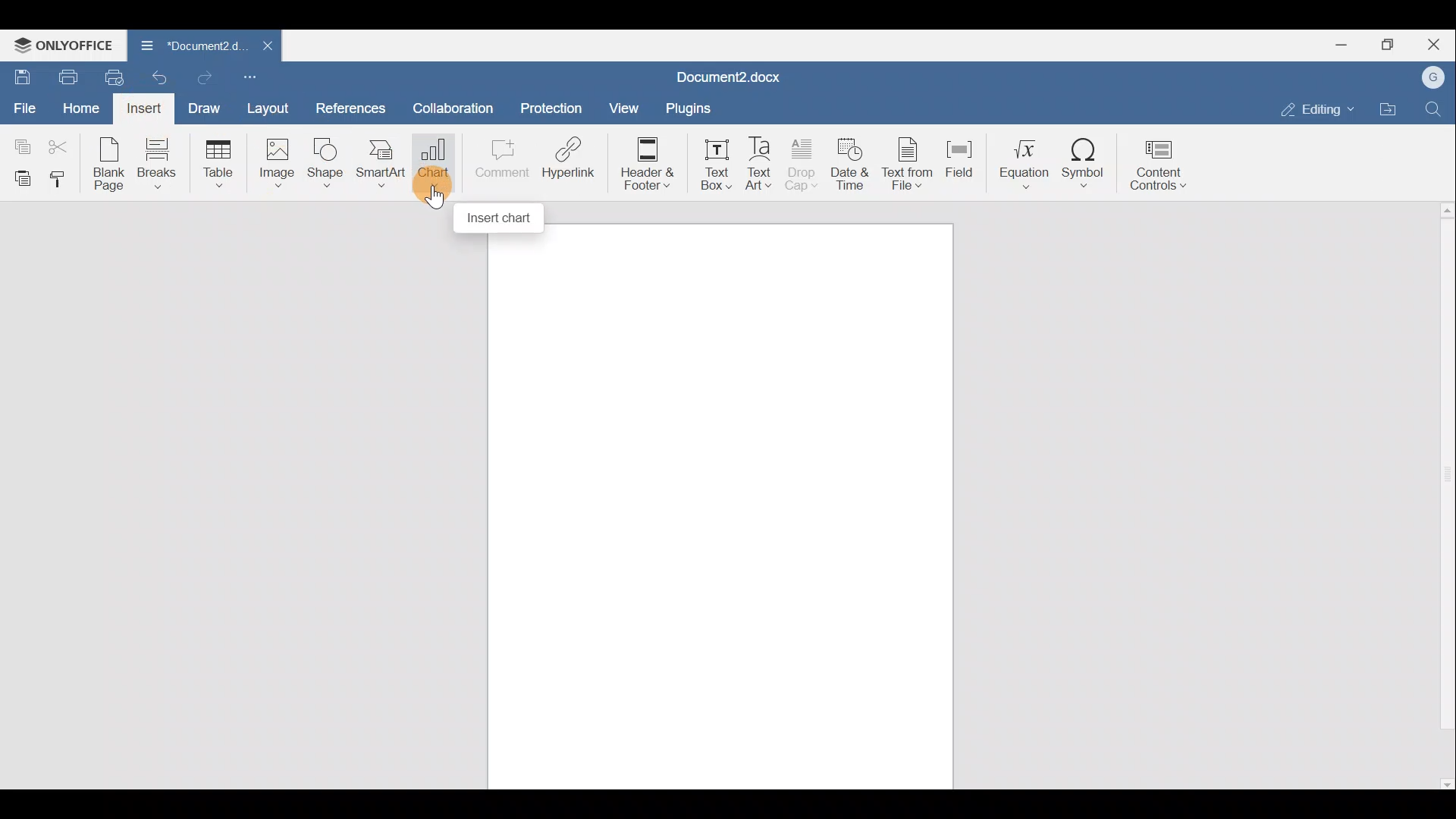 The width and height of the screenshot is (1456, 819). Describe the element at coordinates (573, 157) in the screenshot. I see `Hyperlink` at that location.